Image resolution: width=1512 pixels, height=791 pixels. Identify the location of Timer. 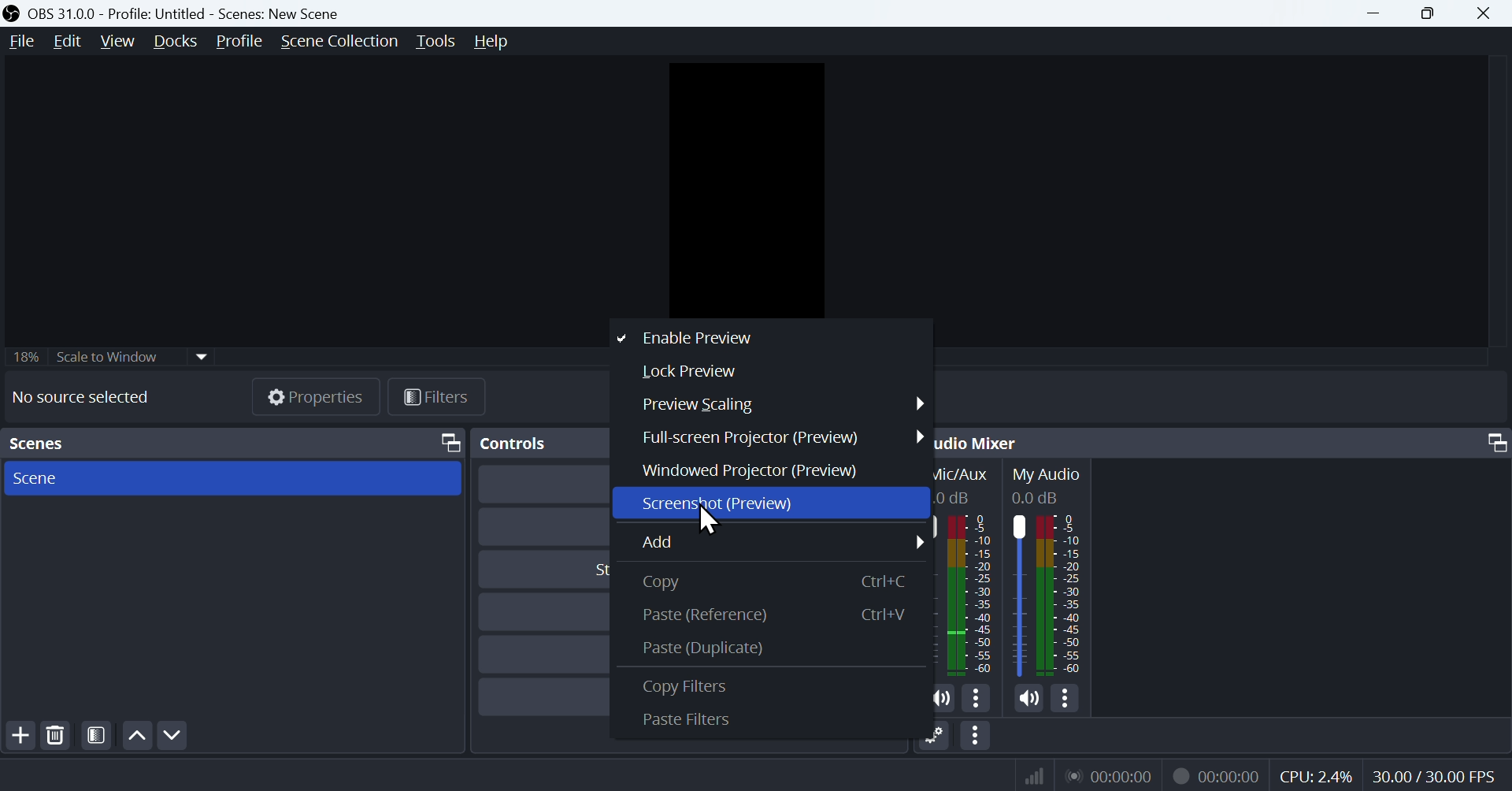
(1114, 775).